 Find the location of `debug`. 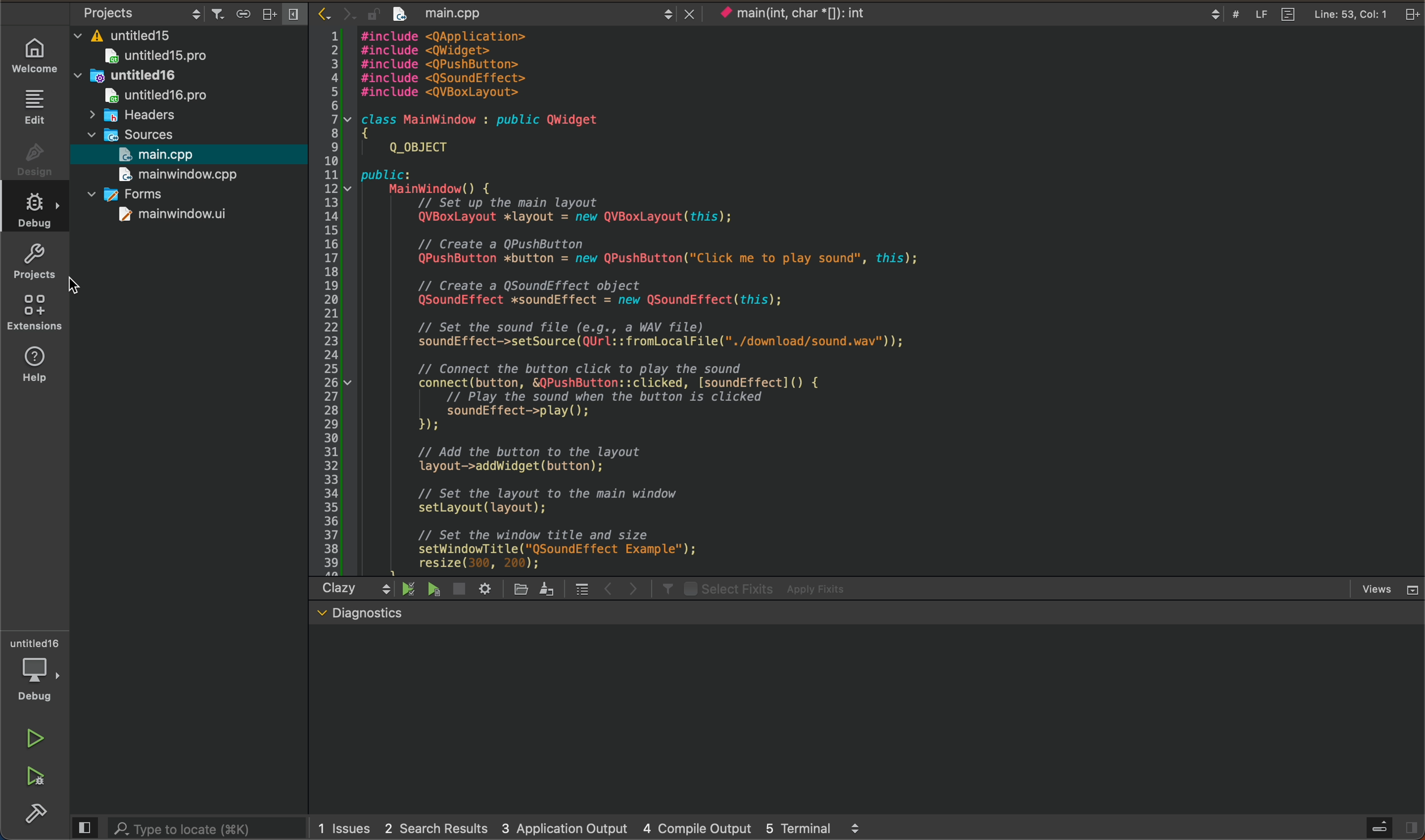

debug is located at coordinates (35, 211).